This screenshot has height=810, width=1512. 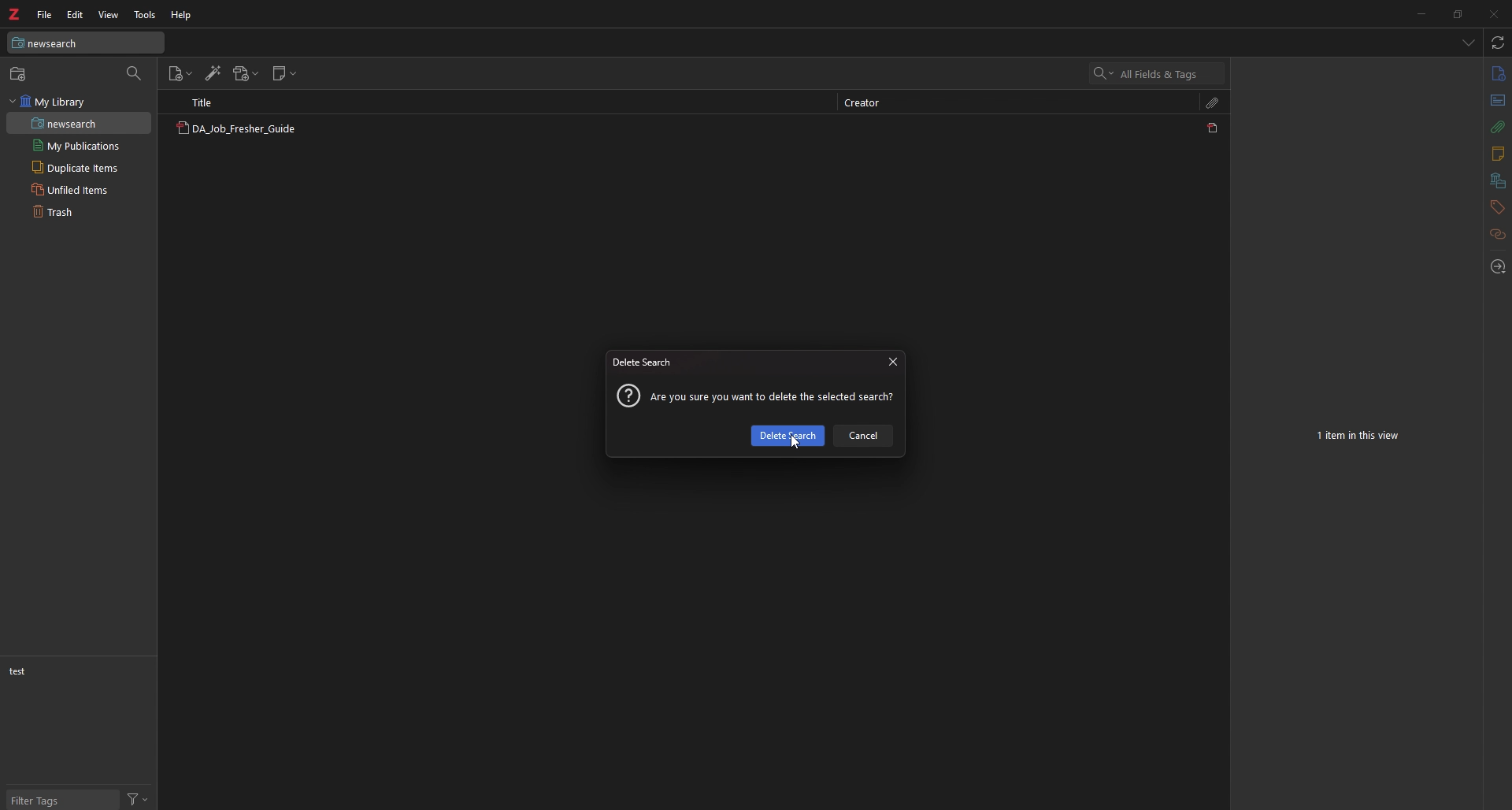 I want to click on Edit, so click(x=74, y=14).